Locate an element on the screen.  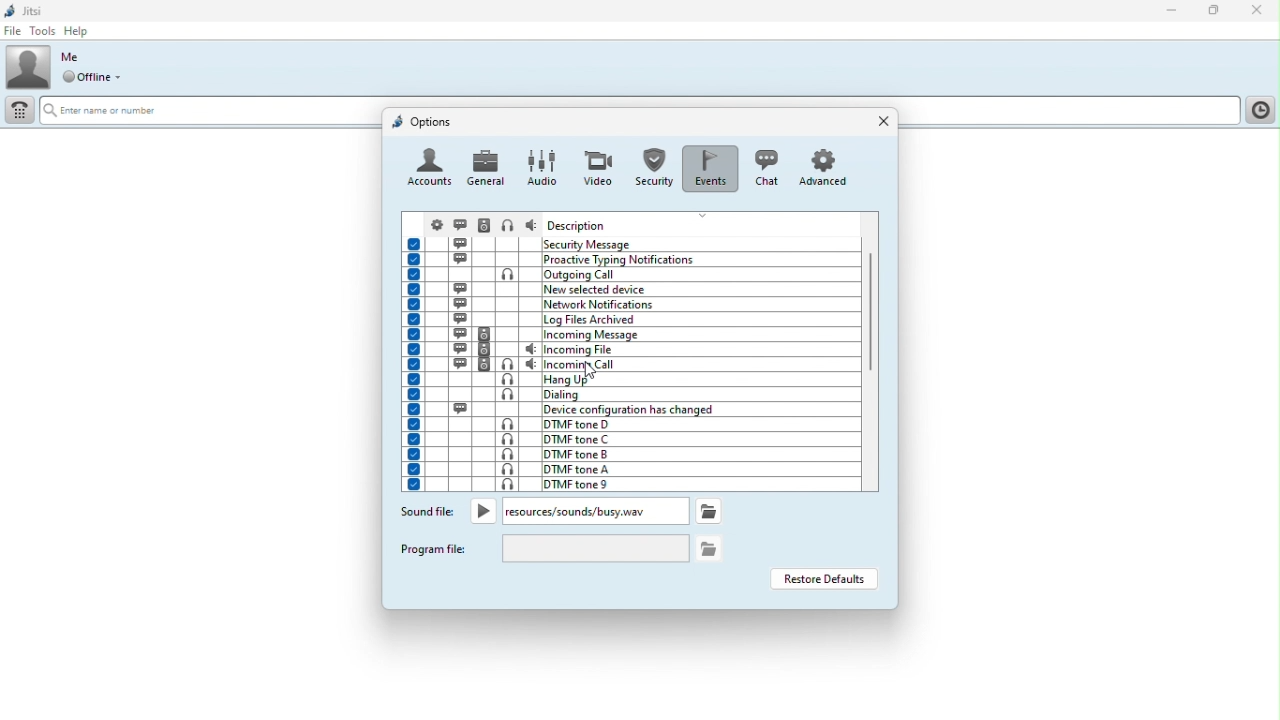
new selected device  is located at coordinates (630, 289).